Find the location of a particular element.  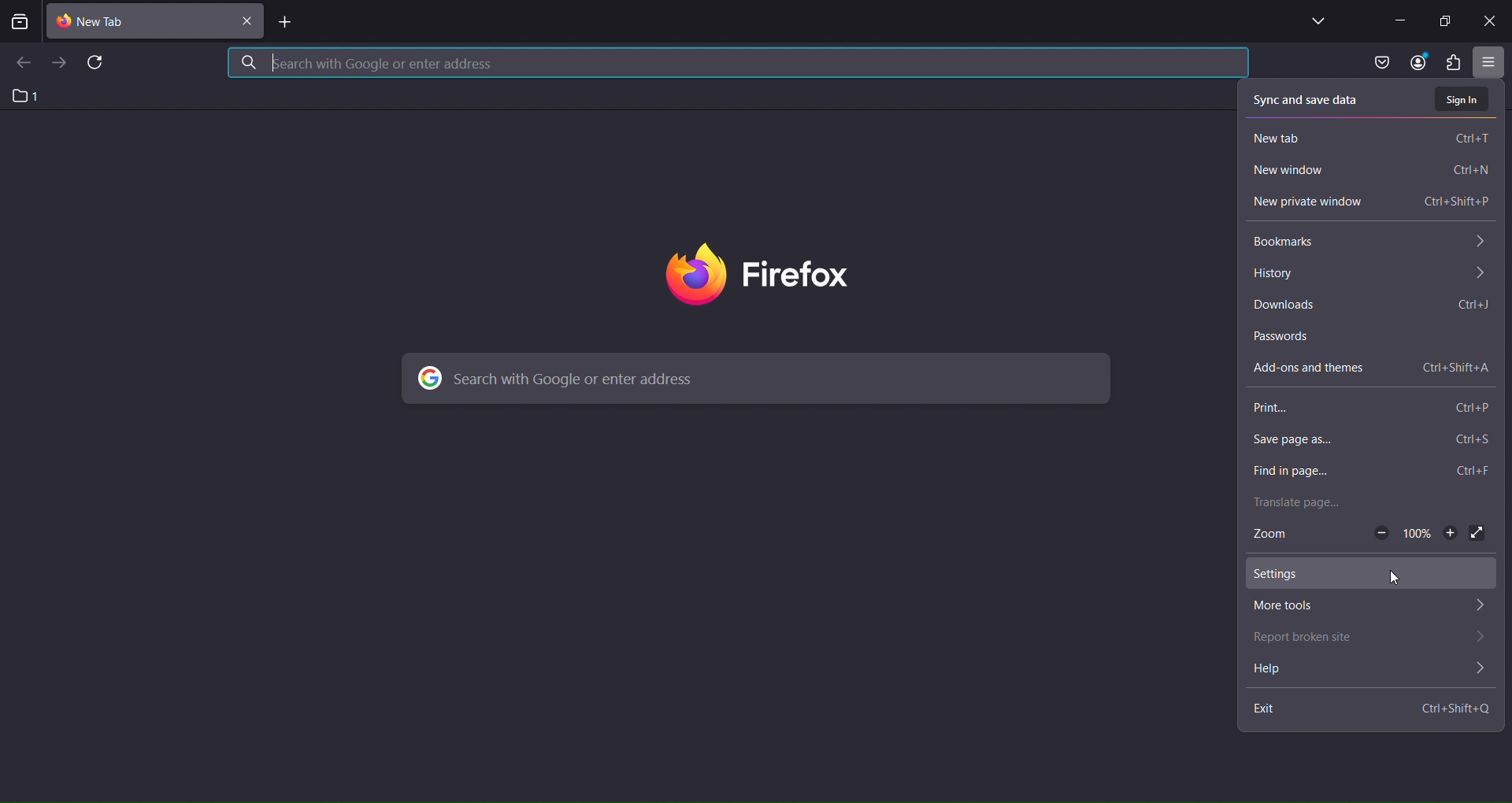

bookmark is located at coordinates (1365, 244).